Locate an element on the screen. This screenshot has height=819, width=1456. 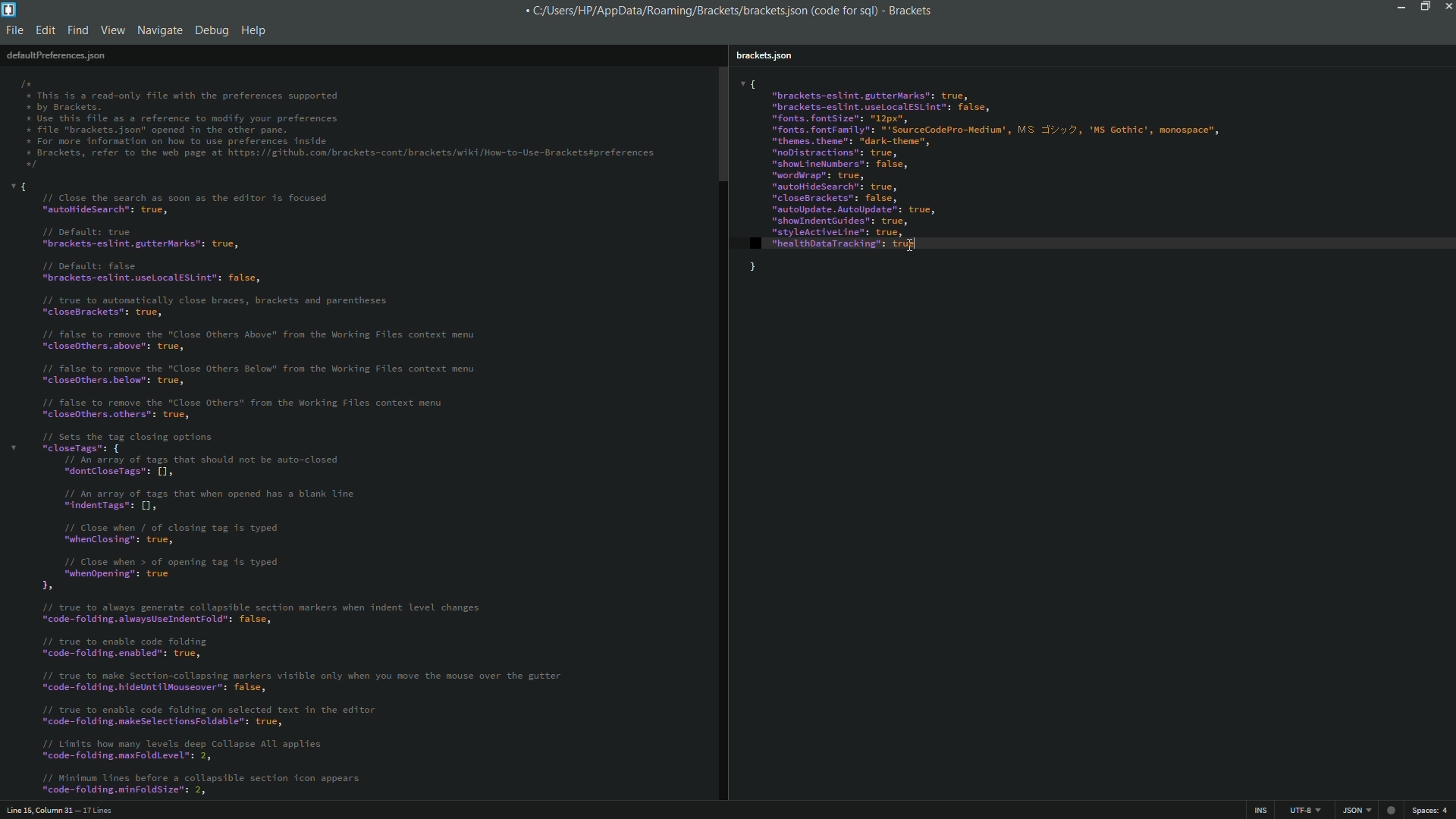
scroll bar is located at coordinates (722, 433).